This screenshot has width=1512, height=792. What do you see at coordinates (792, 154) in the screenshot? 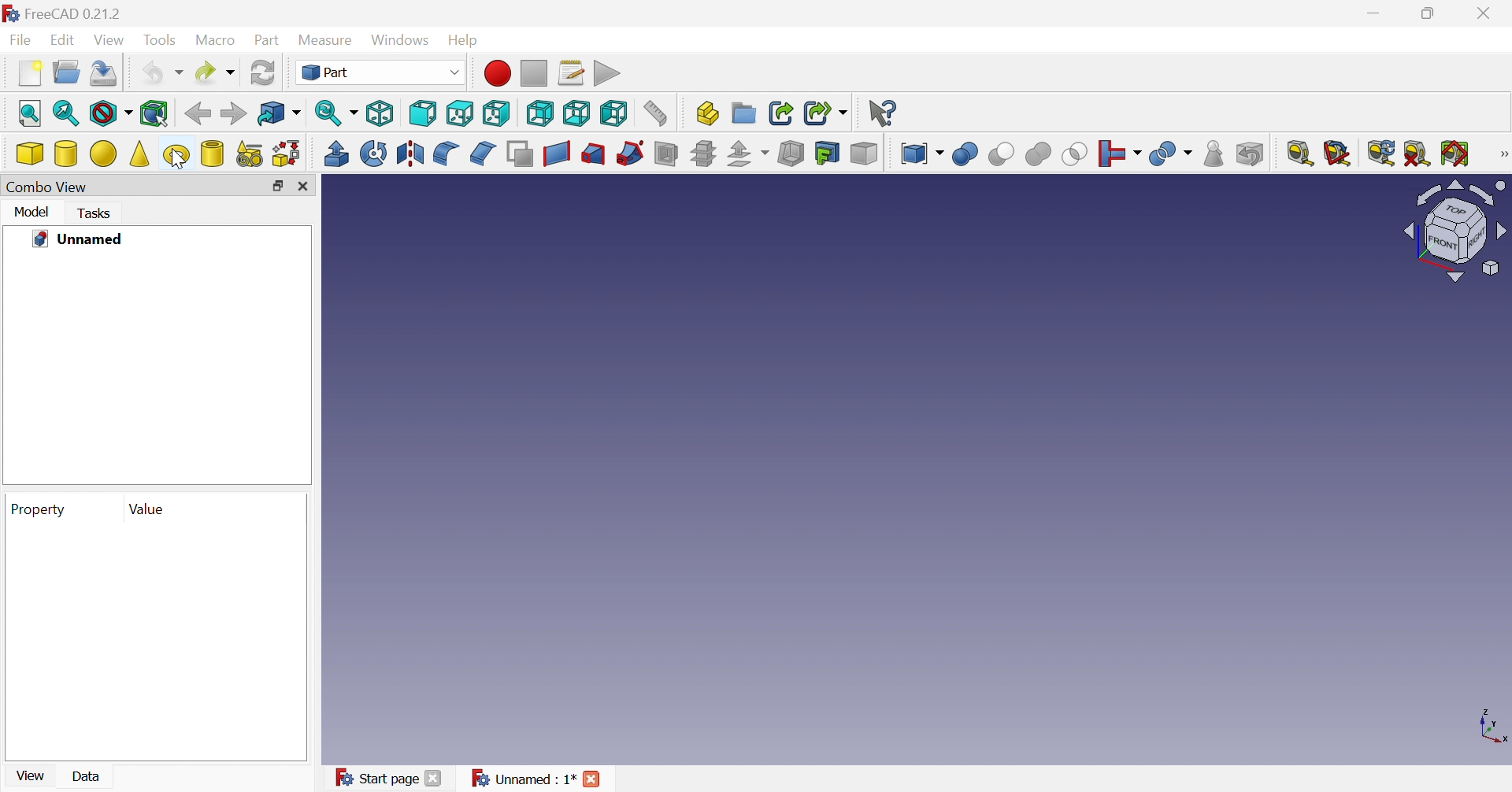
I see `Thickness` at bounding box center [792, 154].